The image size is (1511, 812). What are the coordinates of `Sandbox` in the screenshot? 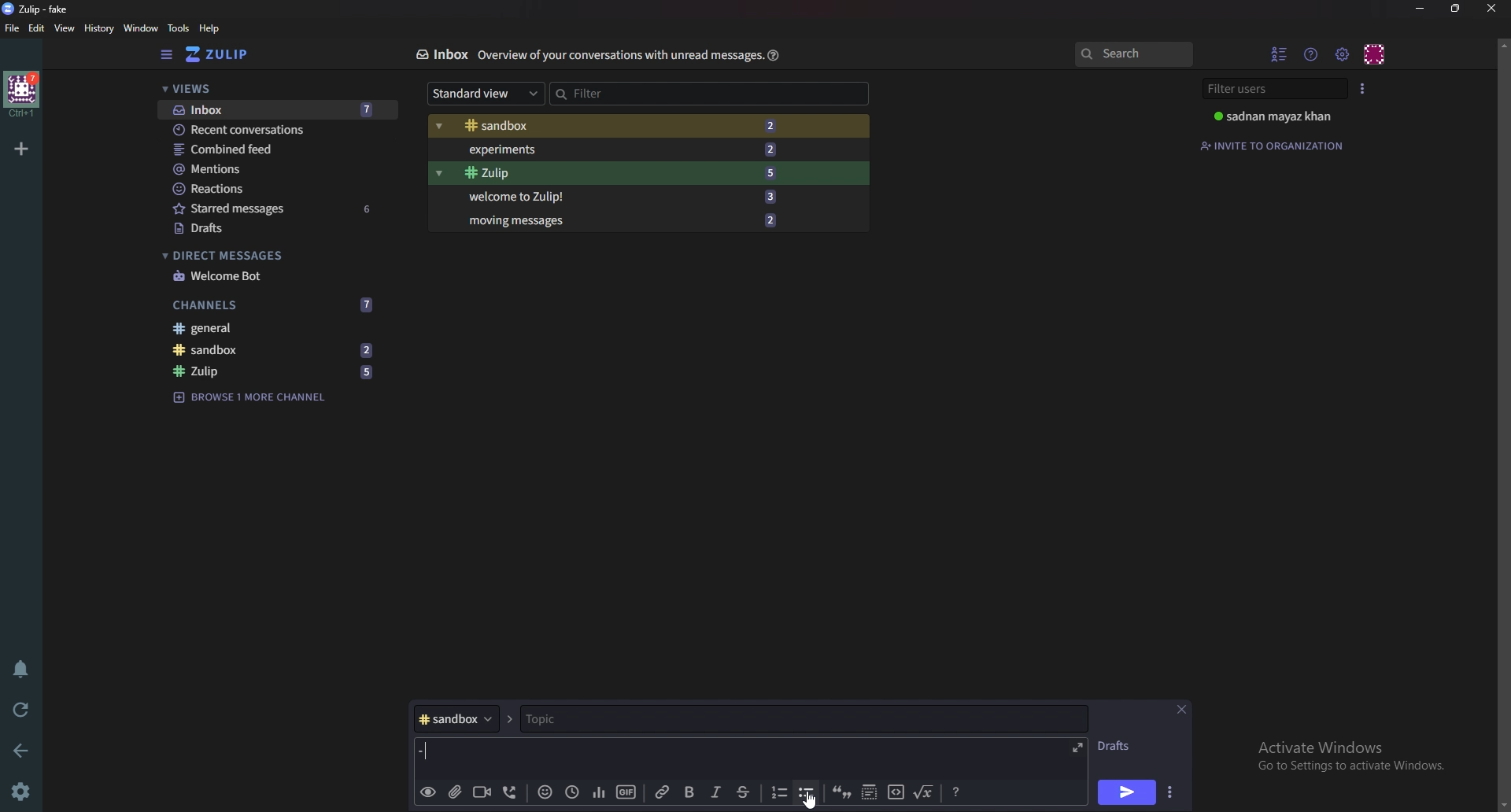 It's located at (614, 127).